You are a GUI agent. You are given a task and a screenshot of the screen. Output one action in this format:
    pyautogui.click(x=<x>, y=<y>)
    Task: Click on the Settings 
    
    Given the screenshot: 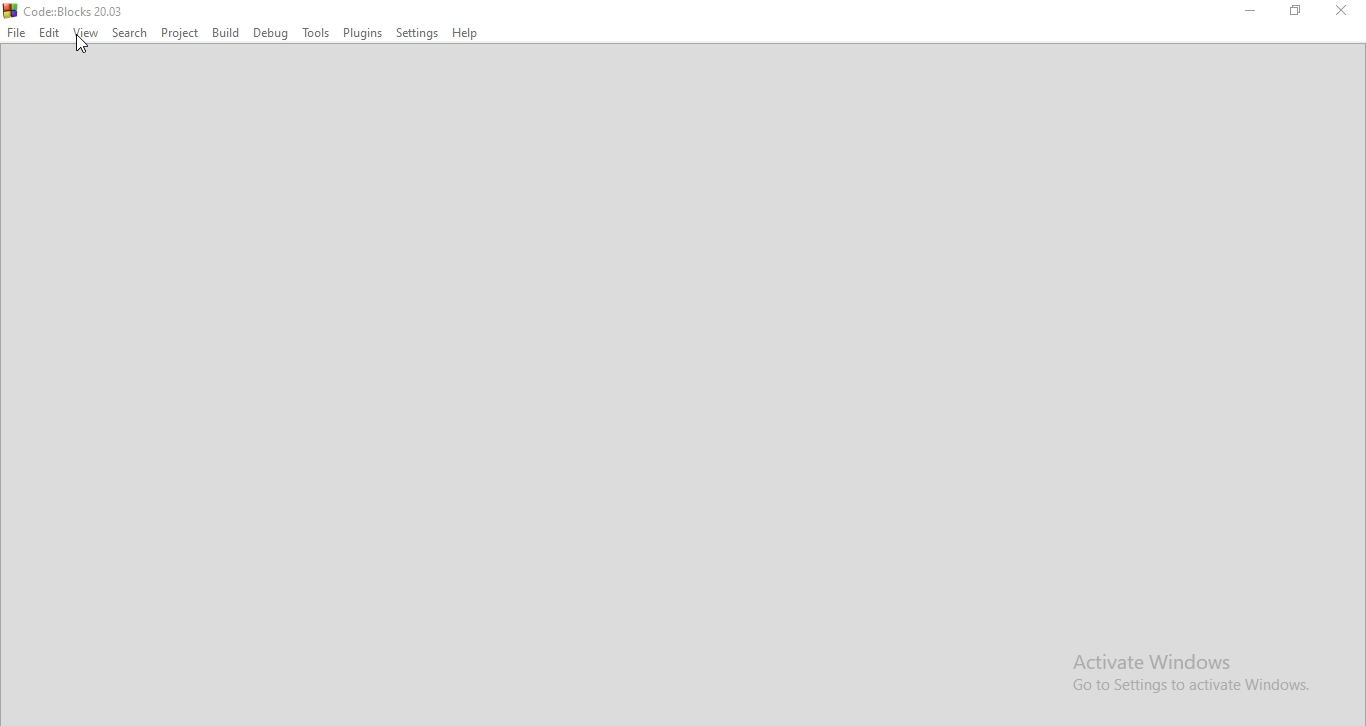 What is the action you would take?
    pyautogui.click(x=417, y=32)
    